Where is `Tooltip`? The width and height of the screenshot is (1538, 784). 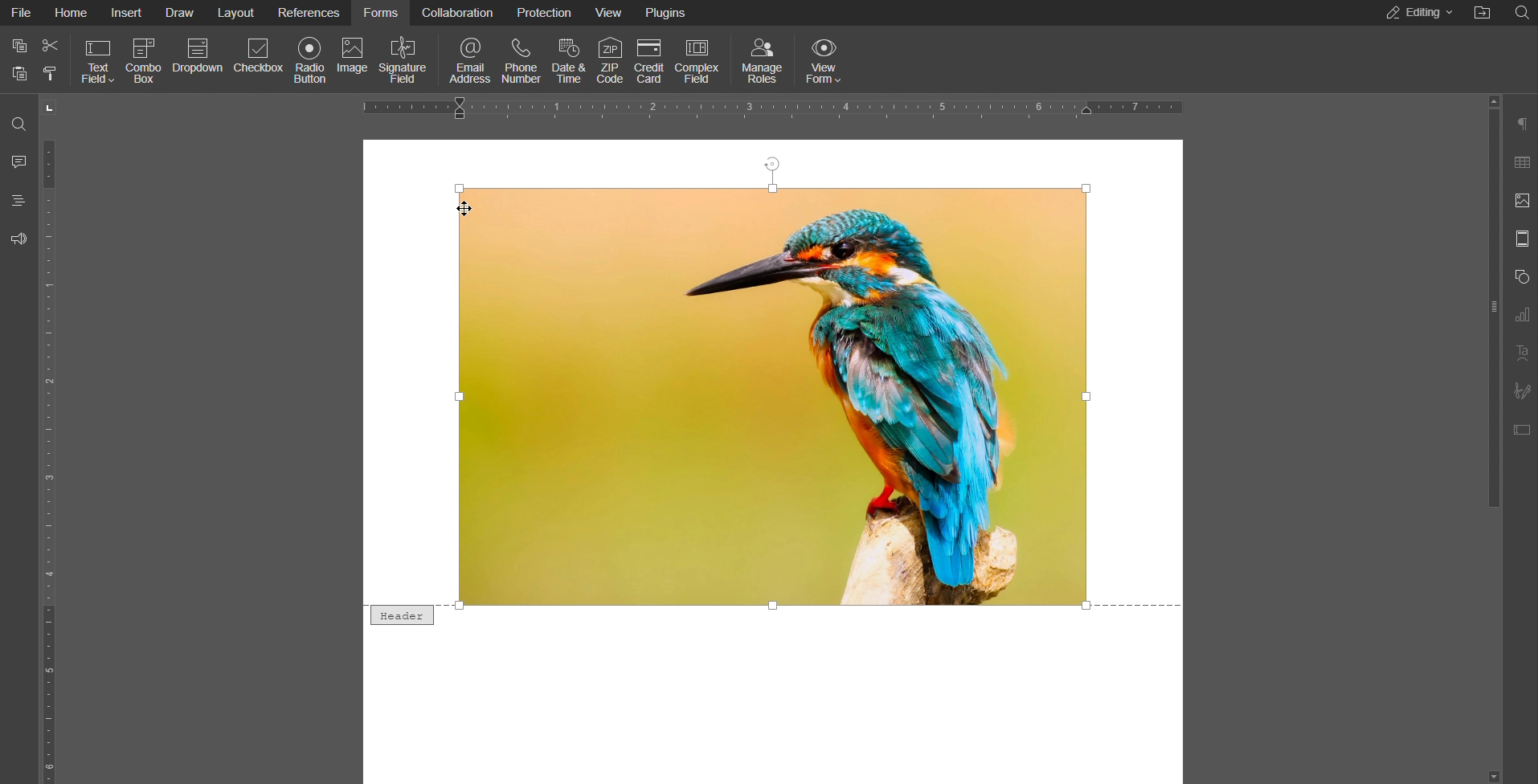 Tooltip is located at coordinates (395, 616).